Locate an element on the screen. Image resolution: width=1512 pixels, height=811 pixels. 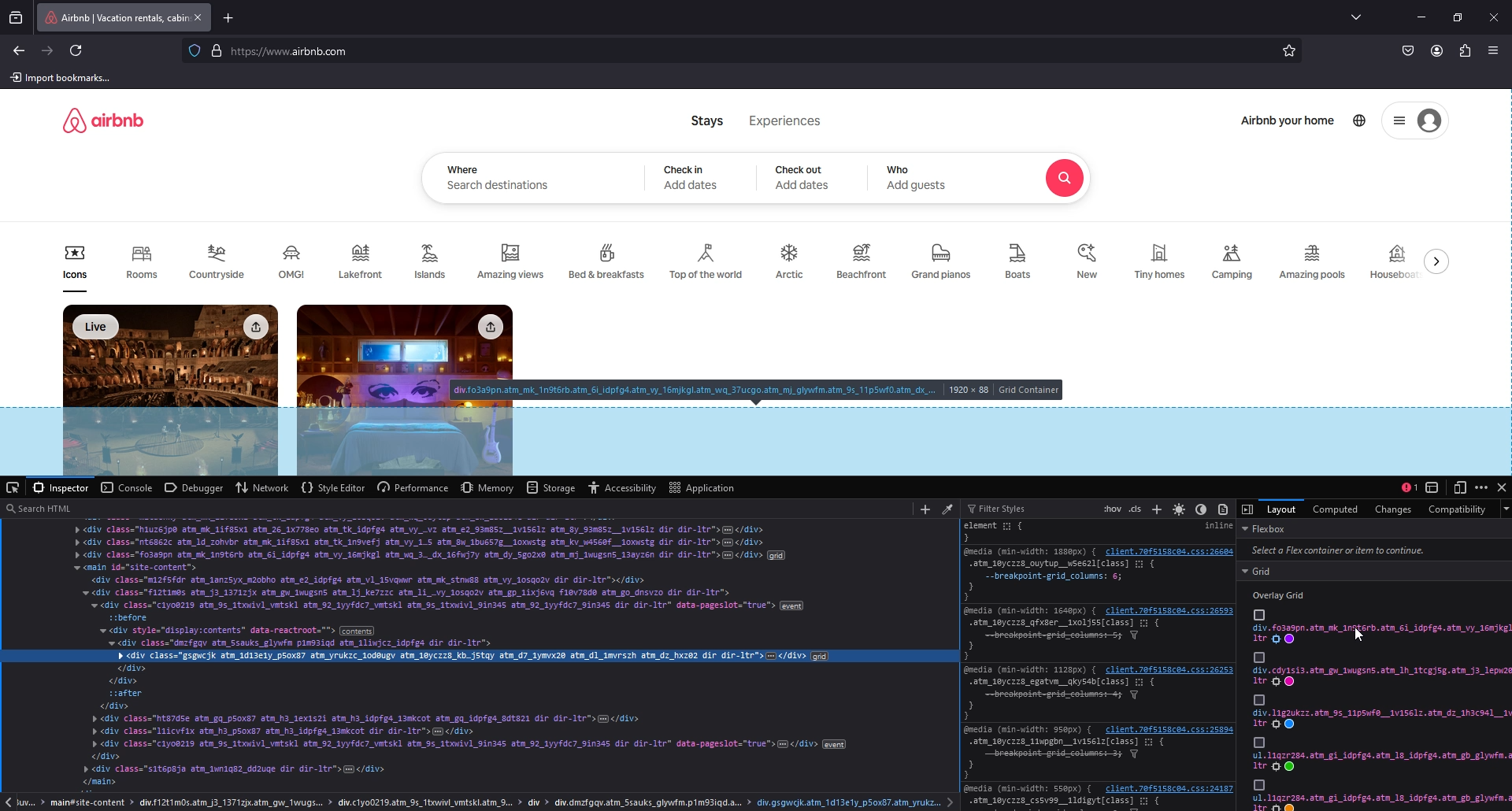
performance is located at coordinates (413, 487).